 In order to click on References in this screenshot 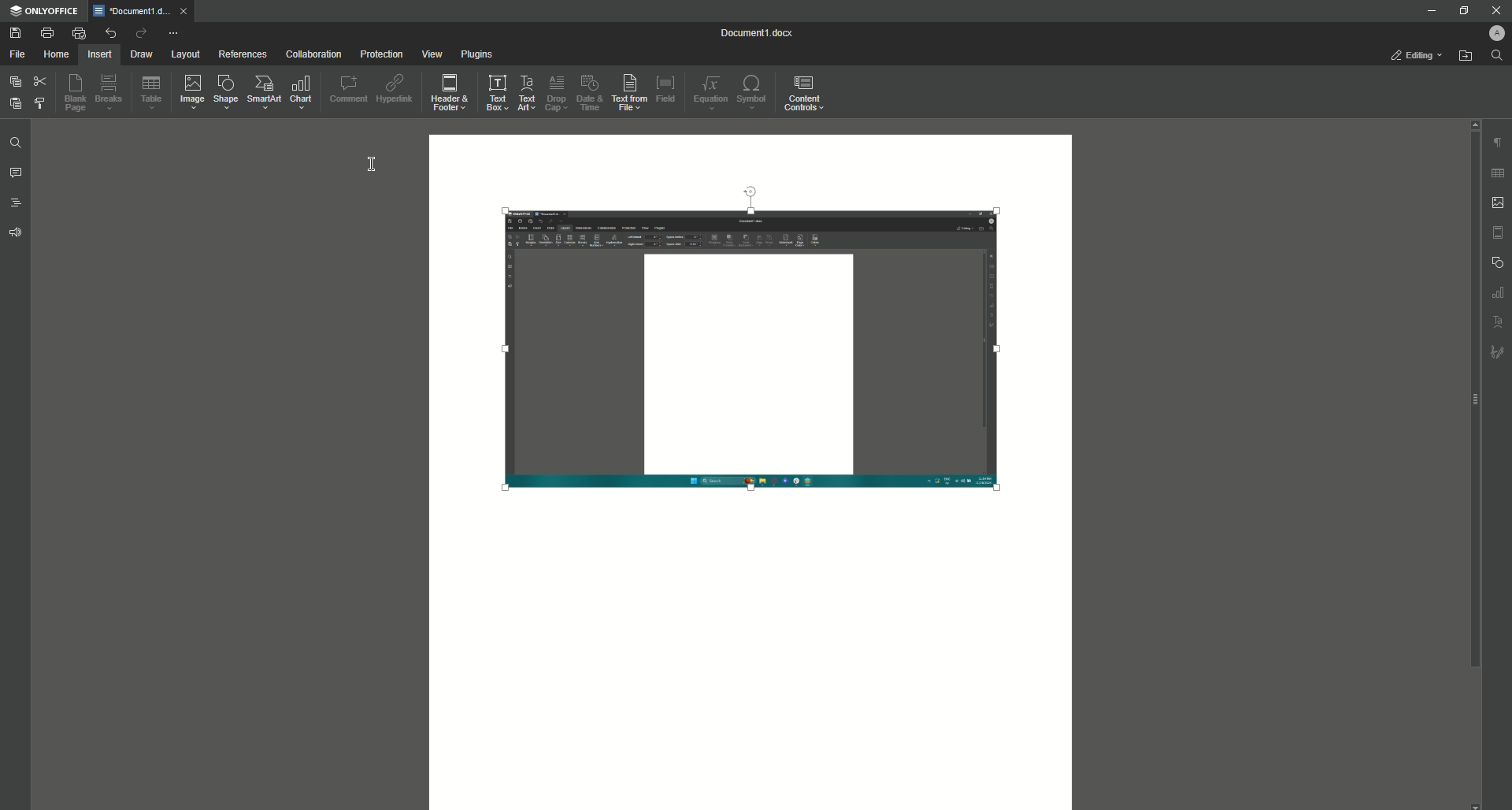, I will do `click(243, 54)`.